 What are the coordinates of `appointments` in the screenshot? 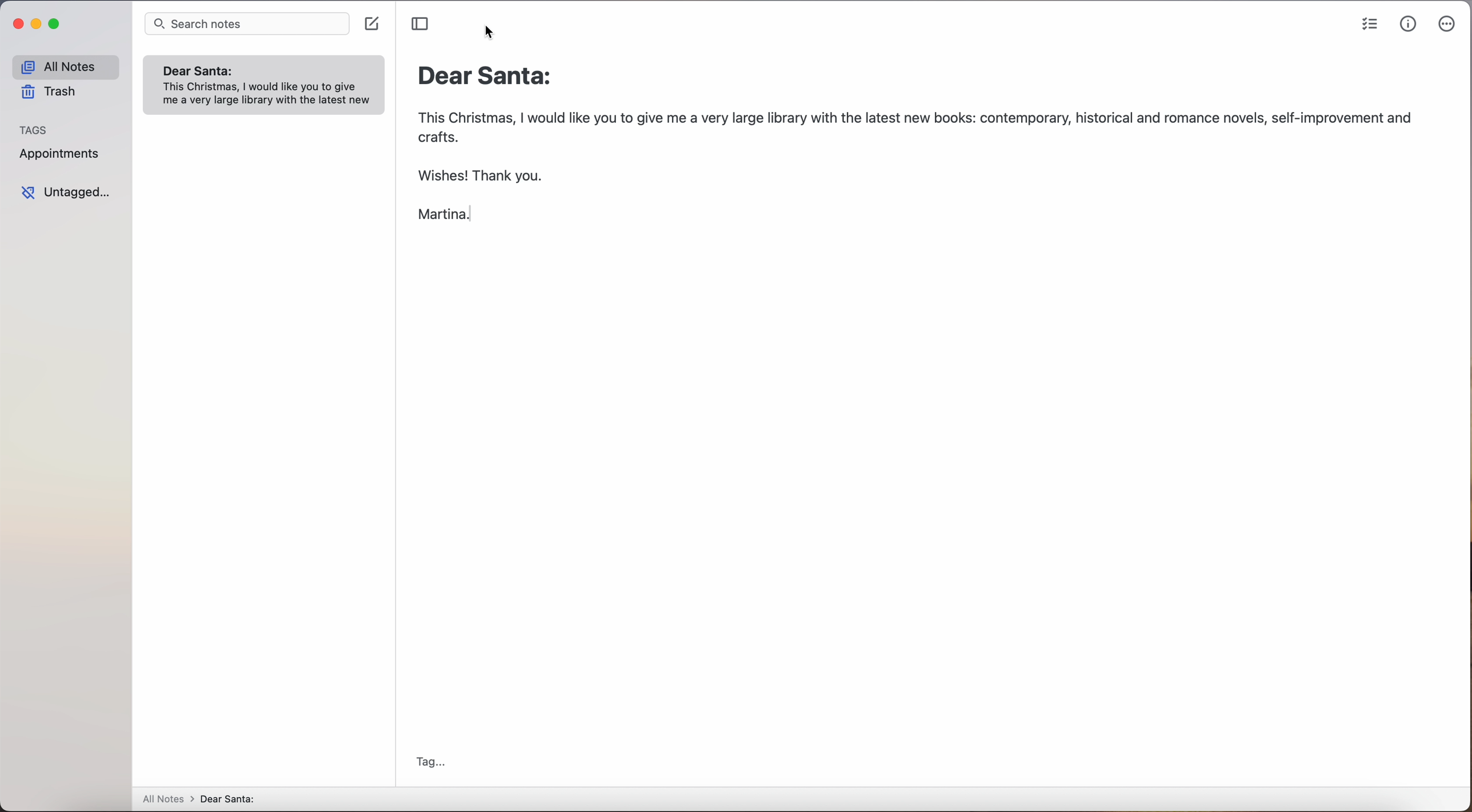 It's located at (61, 156).